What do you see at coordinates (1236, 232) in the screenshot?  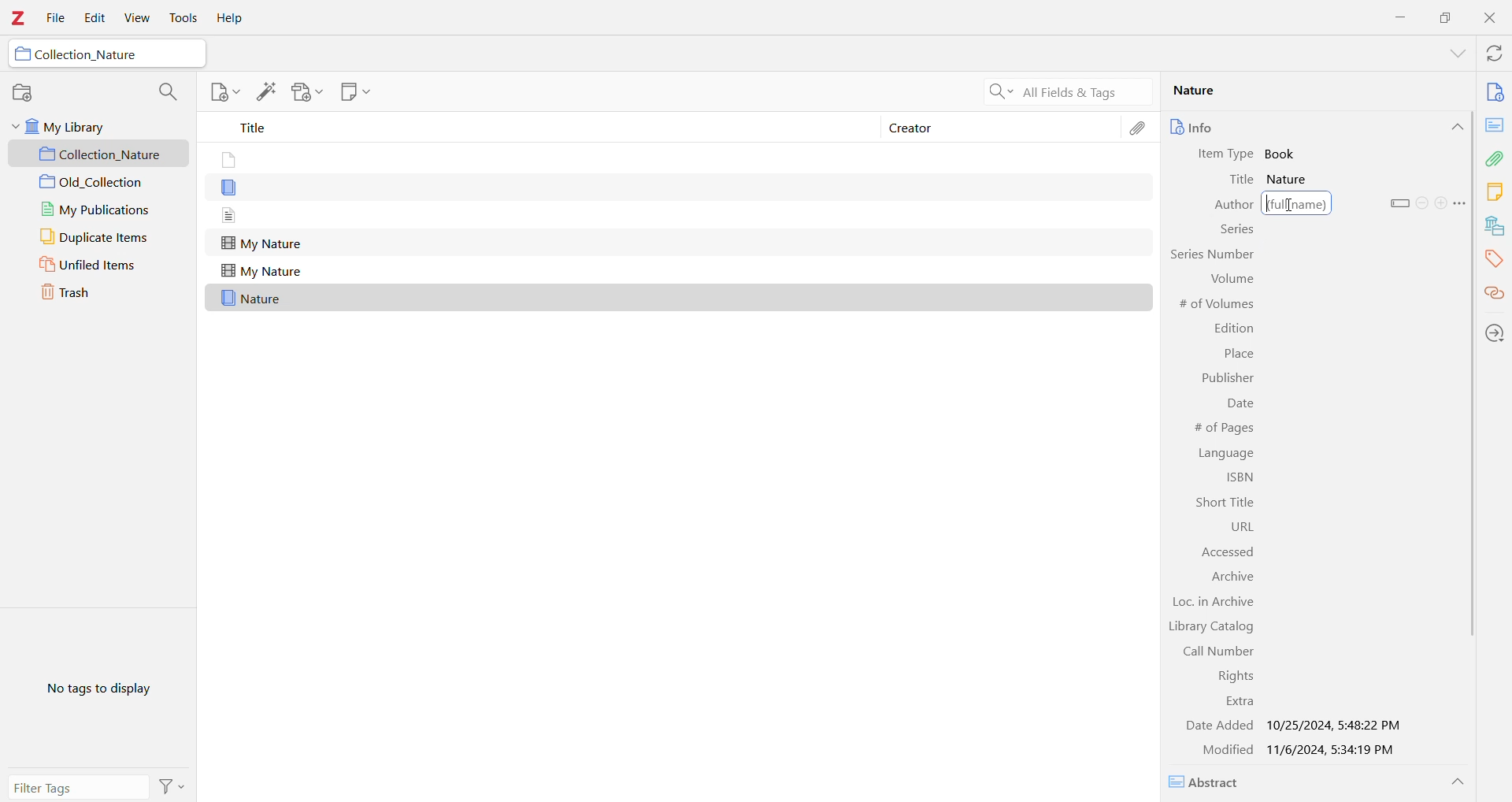 I see `Series` at bounding box center [1236, 232].